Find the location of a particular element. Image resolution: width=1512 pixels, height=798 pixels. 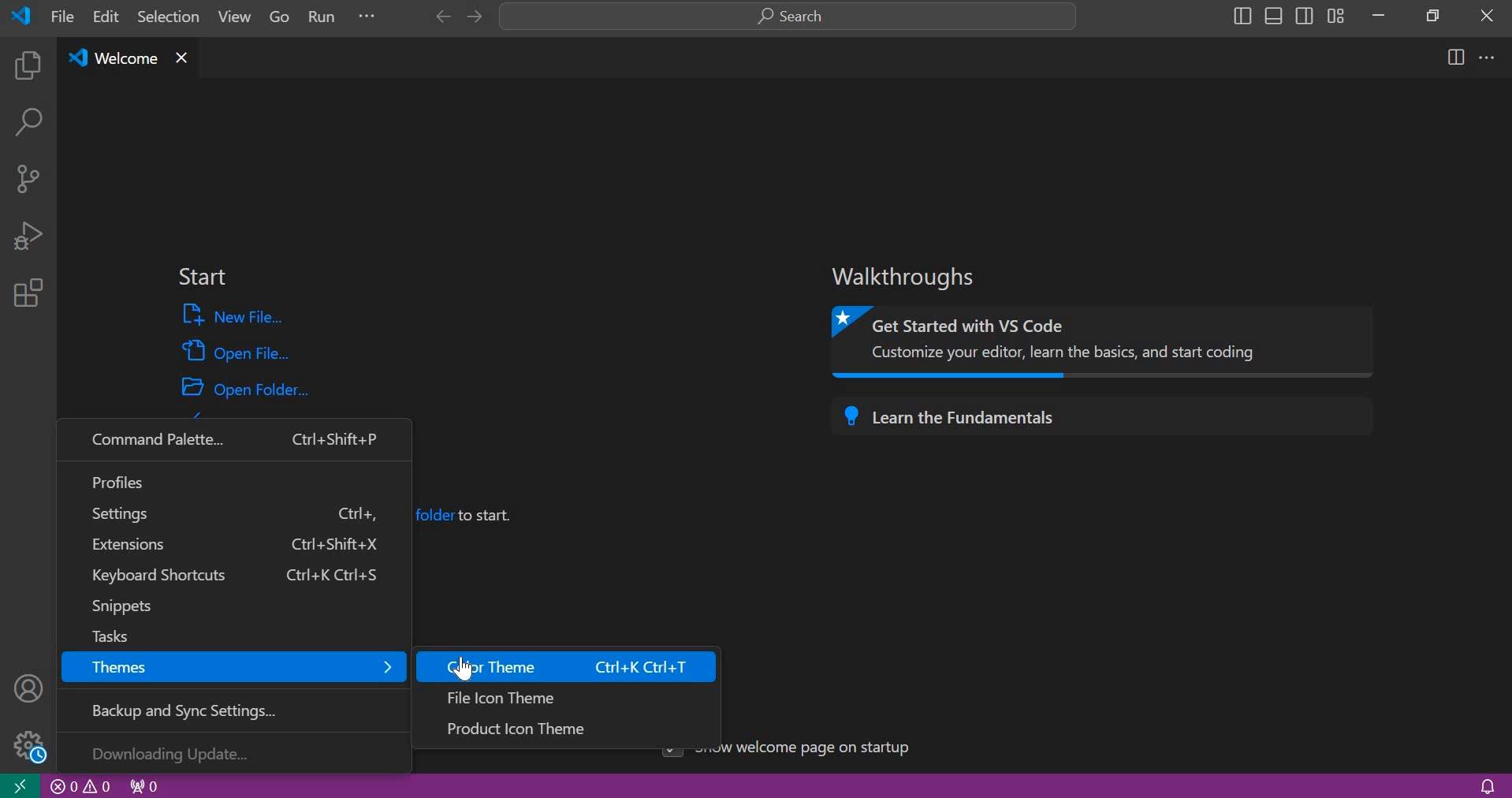

accounts is located at coordinates (30, 687).